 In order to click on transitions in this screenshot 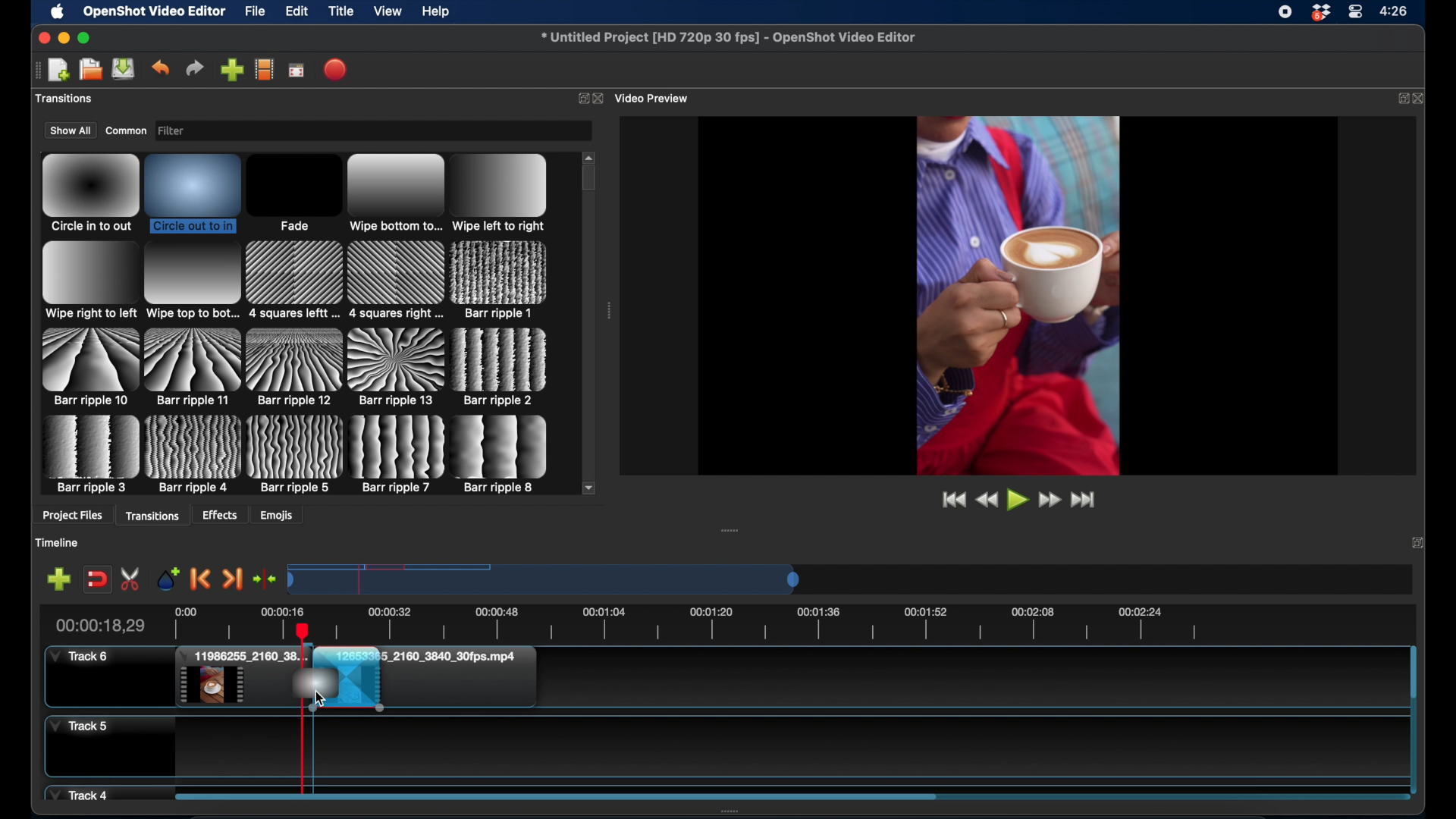, I will do `click(154, 515)`.